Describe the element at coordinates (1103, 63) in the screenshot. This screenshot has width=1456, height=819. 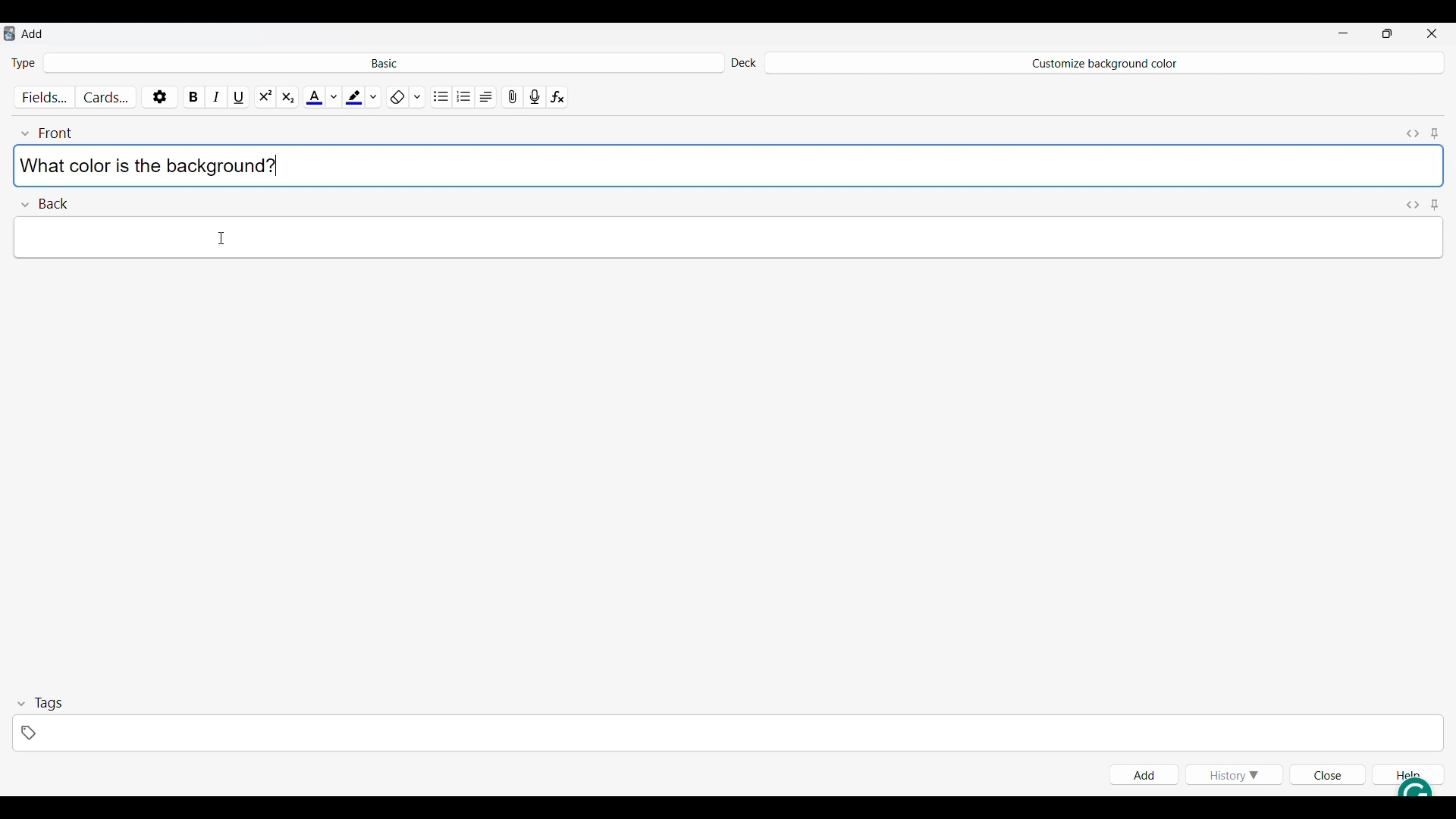
I see `Deck name changed` at that location.